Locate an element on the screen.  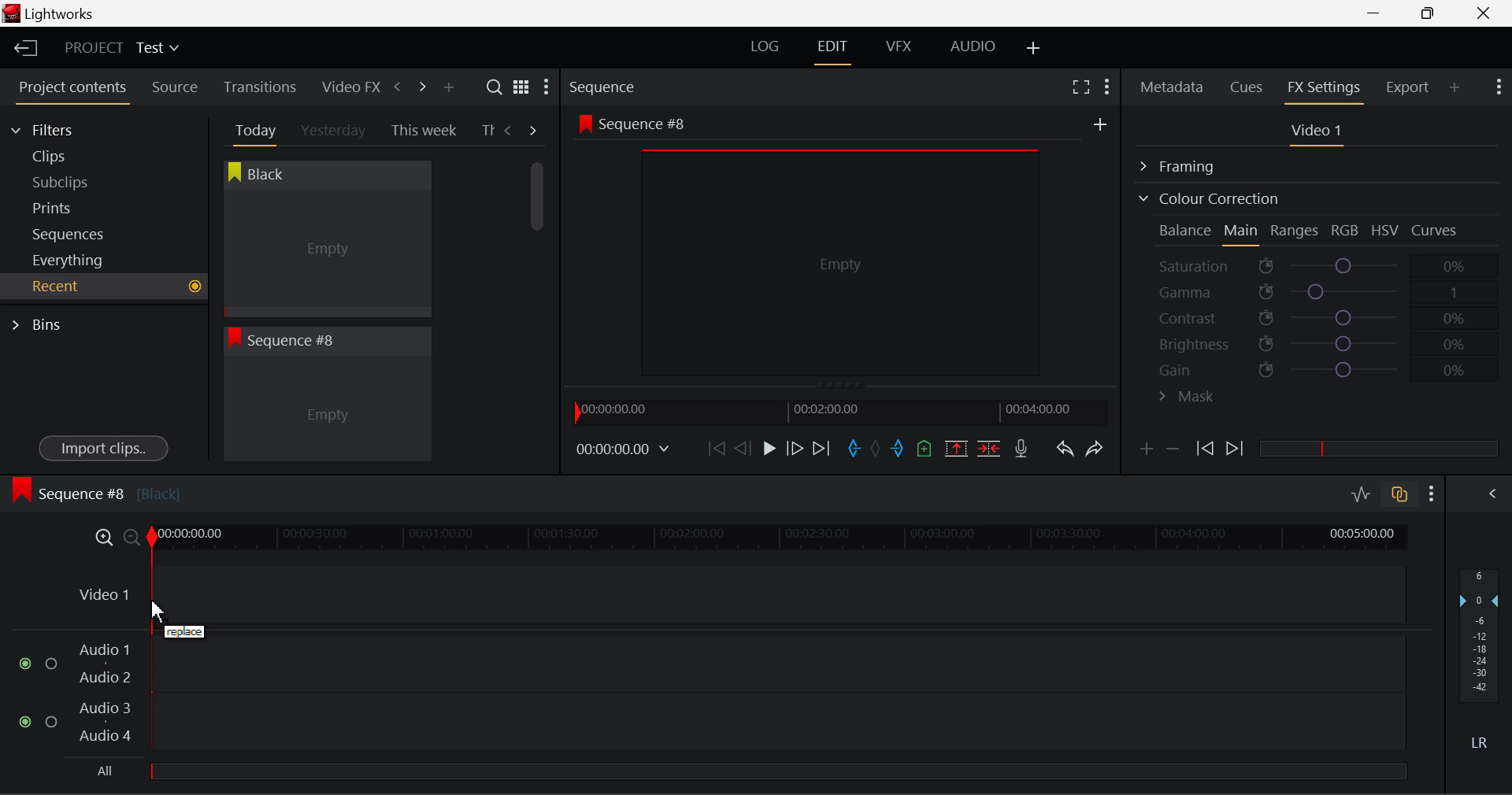
Close is located at coordinates (1487, 13).